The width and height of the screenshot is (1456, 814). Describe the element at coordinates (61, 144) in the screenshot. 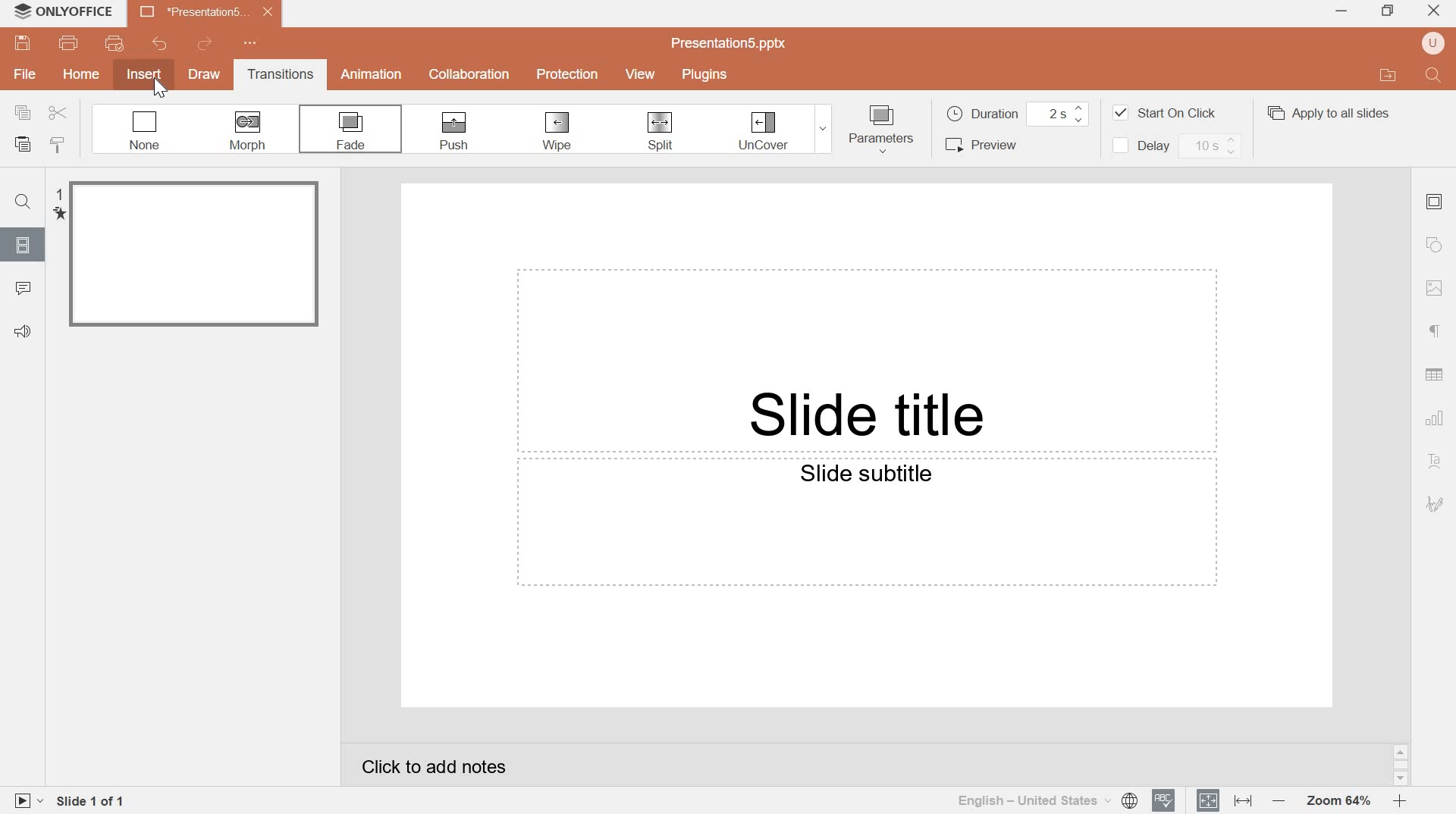

I see `copy style` at that location.